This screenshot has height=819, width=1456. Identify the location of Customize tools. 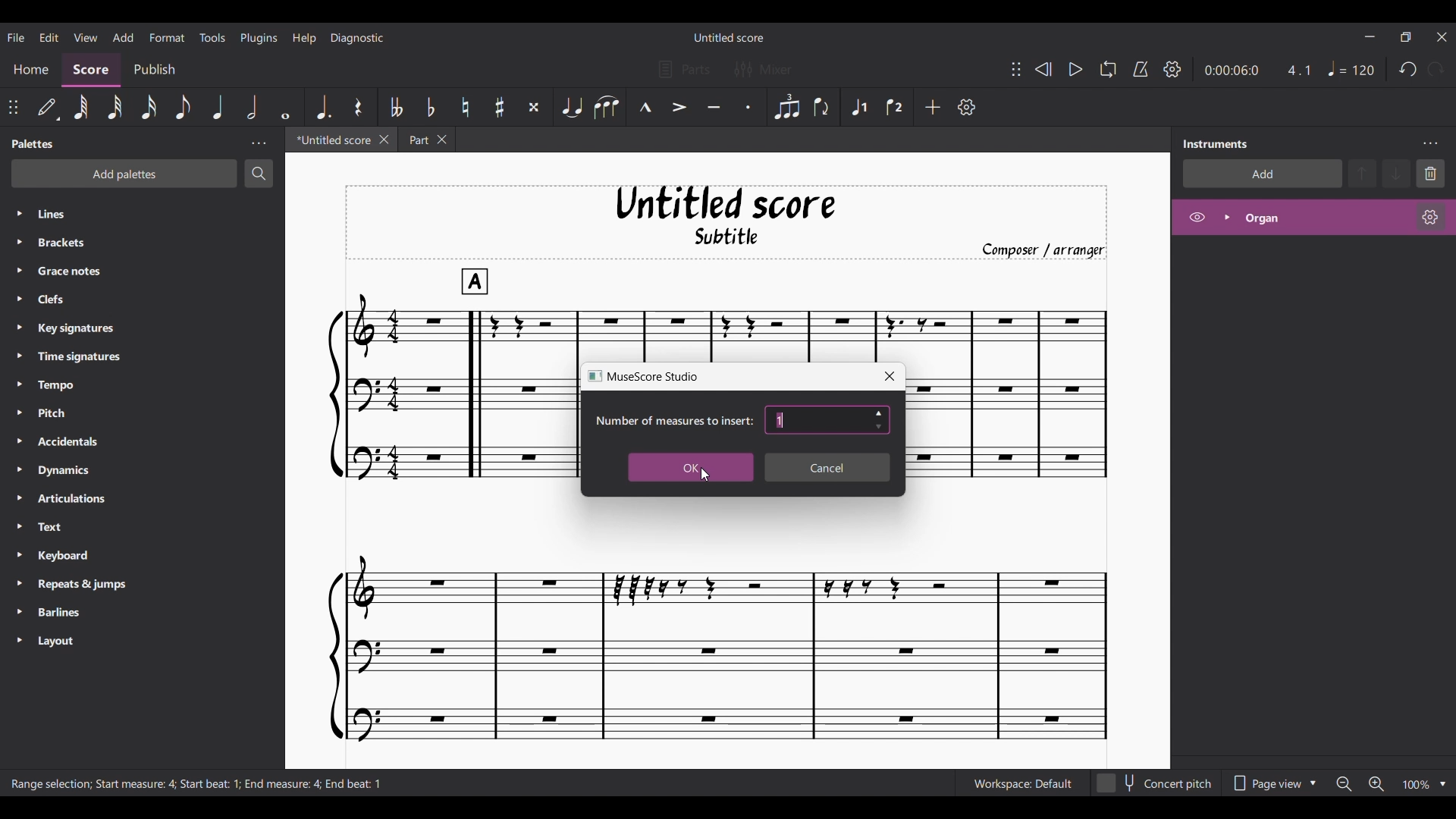
(966, 106).